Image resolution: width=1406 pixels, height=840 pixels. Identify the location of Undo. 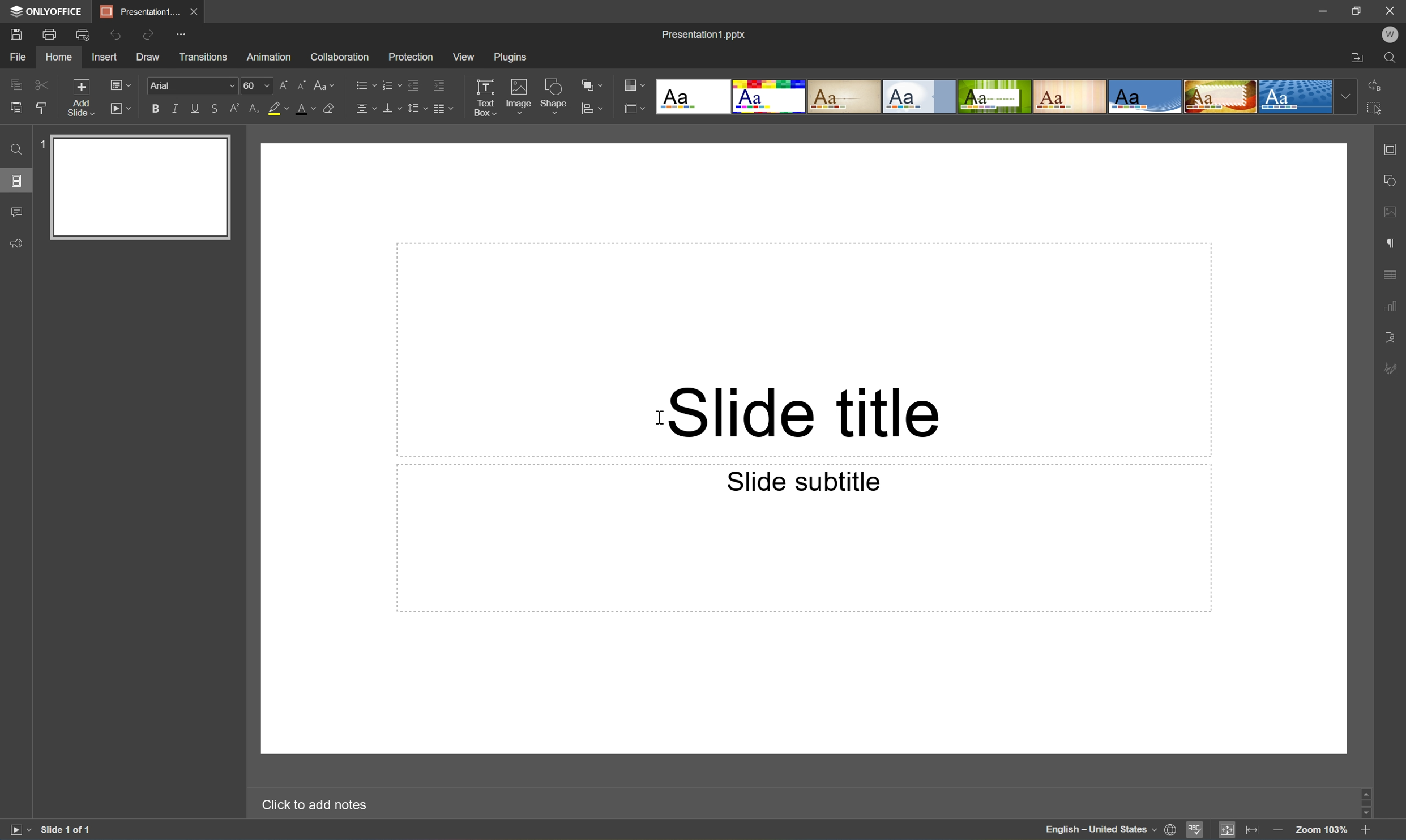
(112, 36).